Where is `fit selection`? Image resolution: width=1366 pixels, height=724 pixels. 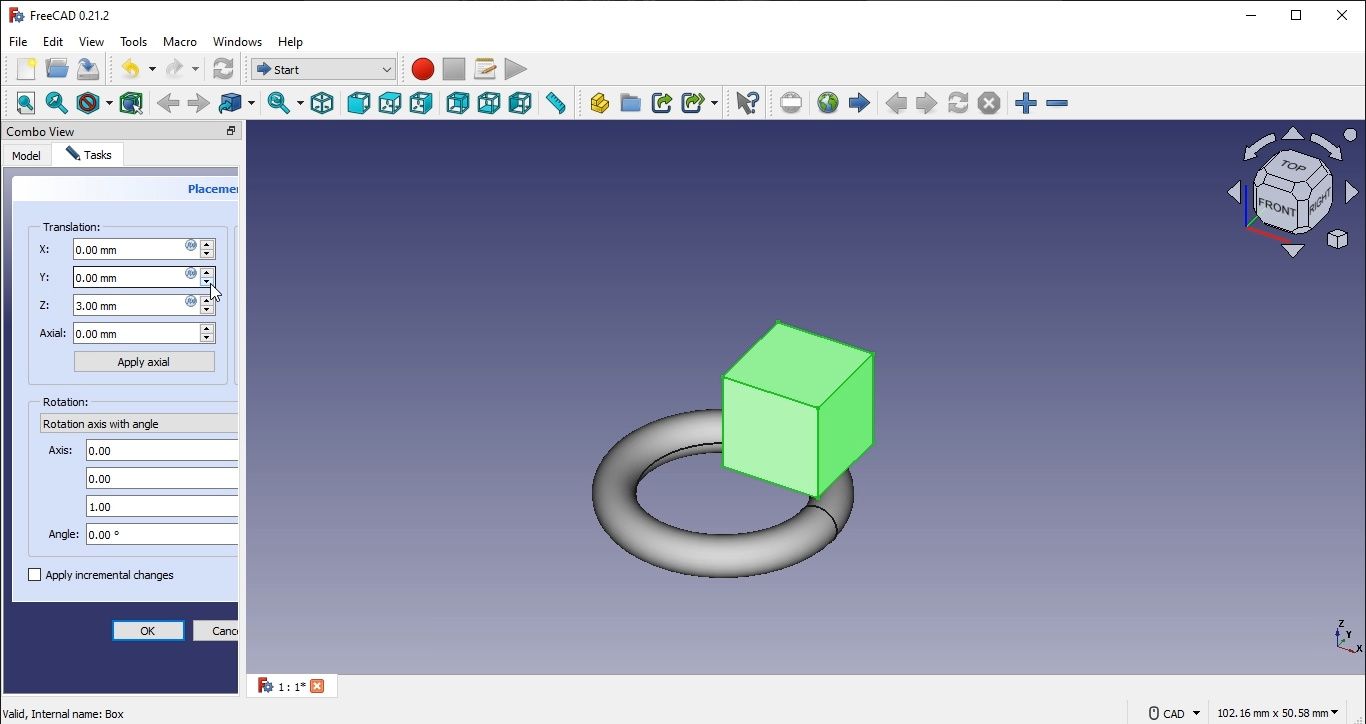
fit selection is located at coordinates (61, 101).